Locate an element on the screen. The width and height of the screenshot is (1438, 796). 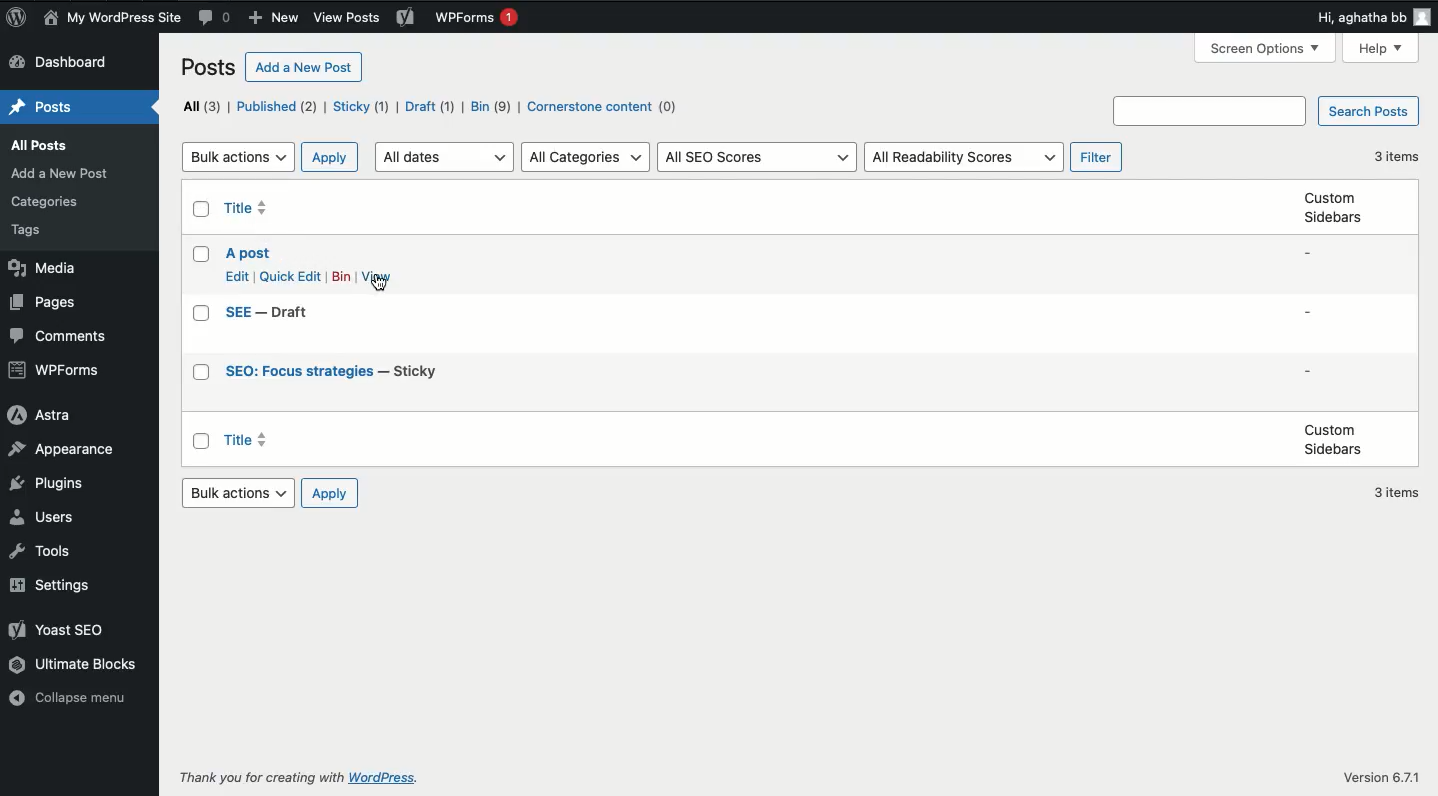
 is located at coordinates (261, 778).